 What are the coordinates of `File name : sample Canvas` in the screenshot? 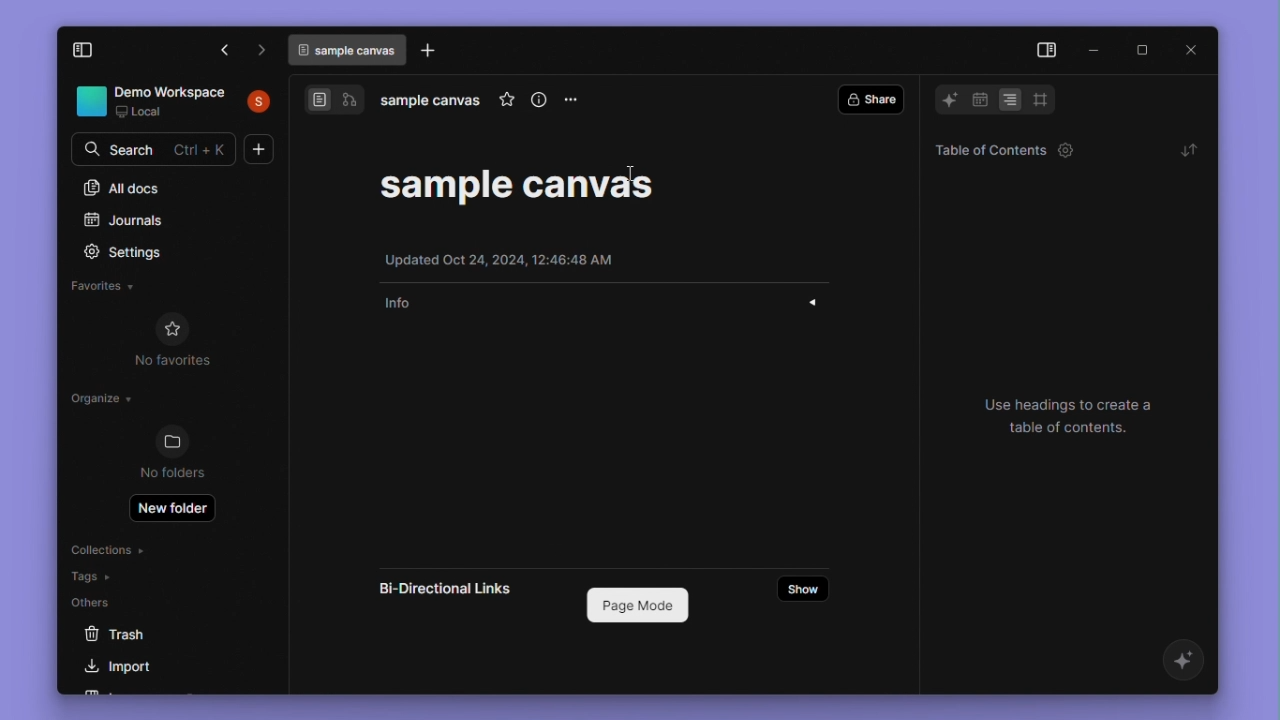 It's located at (519, 184).